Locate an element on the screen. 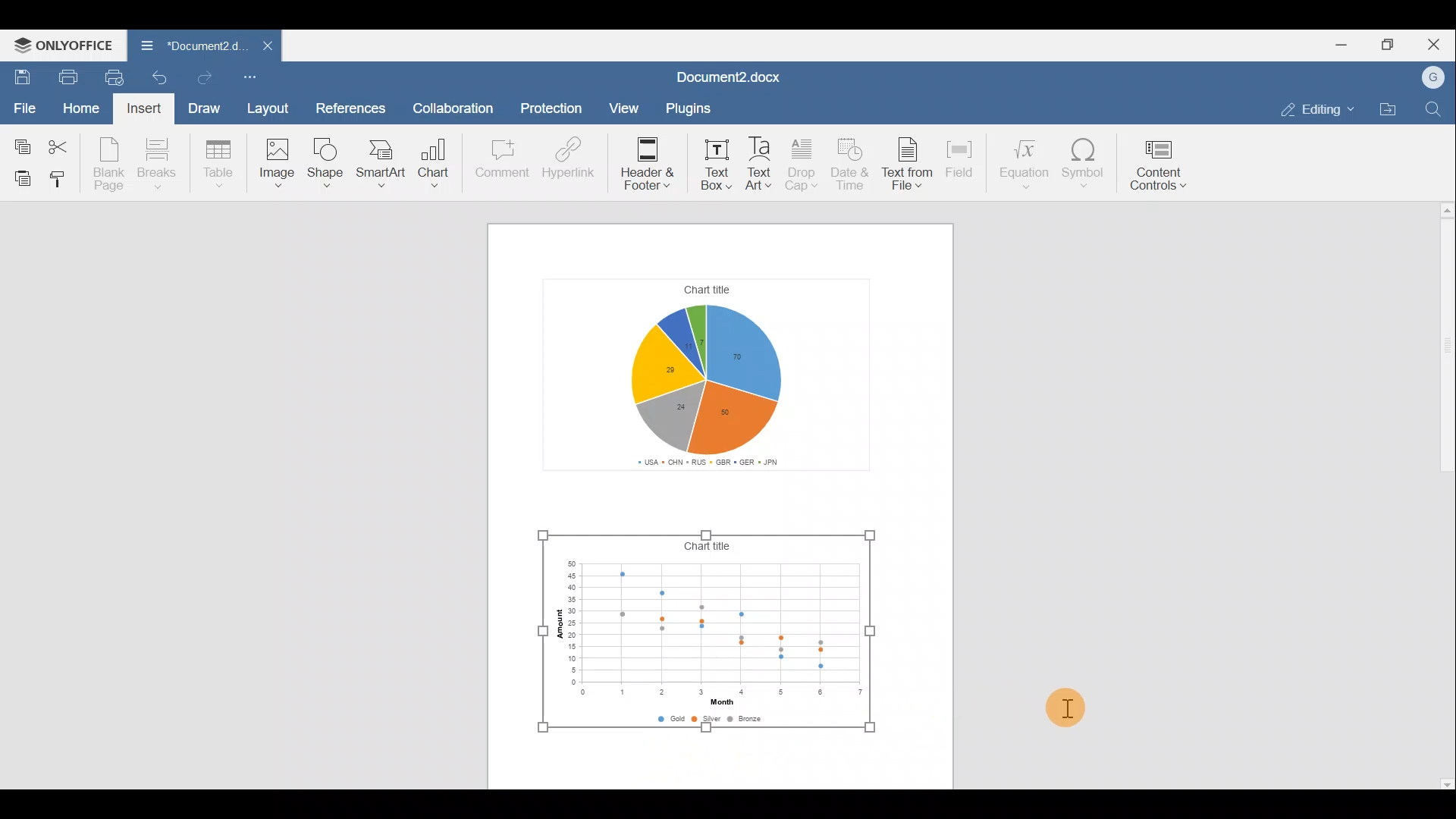 This screenshot has width=1456, height=819. Copy style is located at coordinates (62, 180).